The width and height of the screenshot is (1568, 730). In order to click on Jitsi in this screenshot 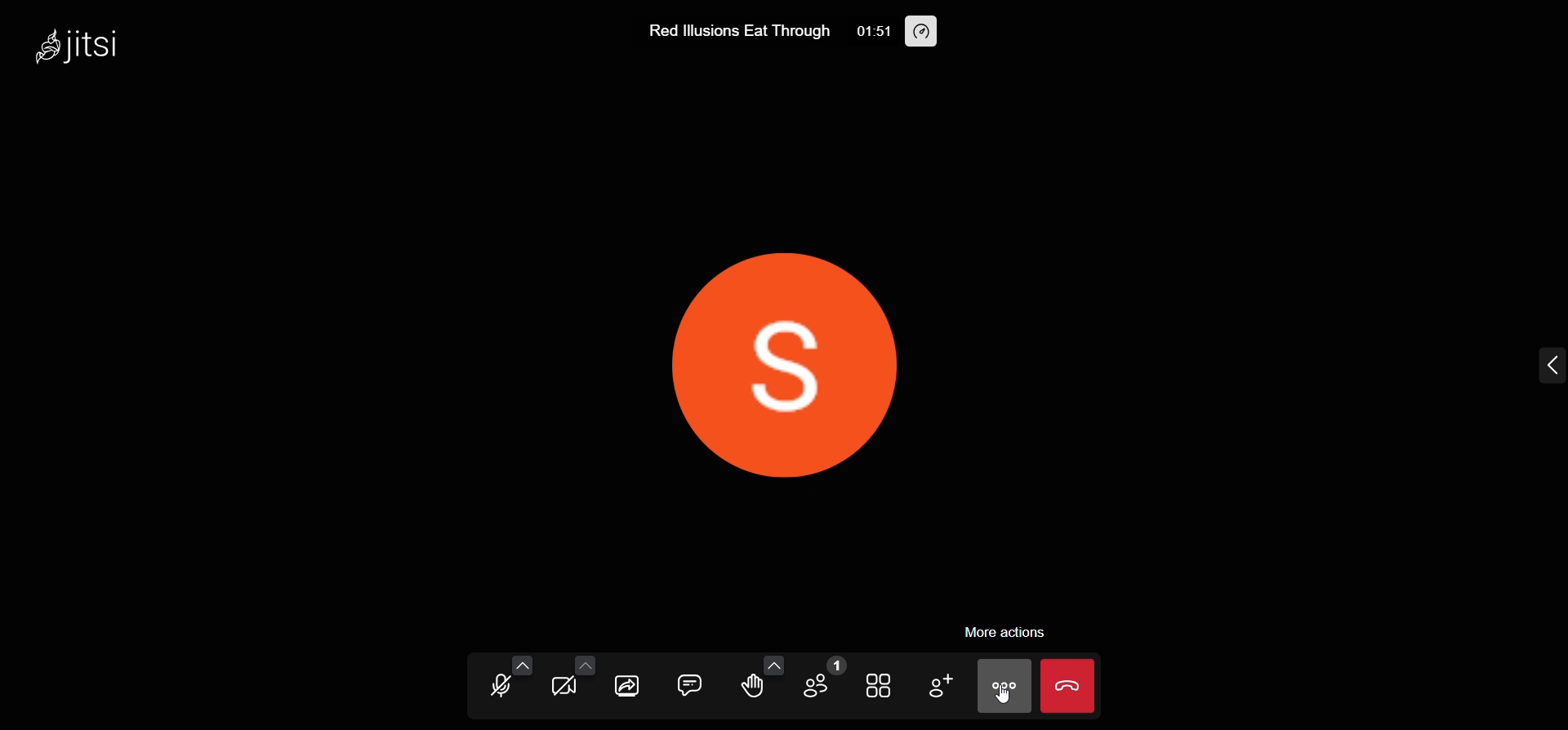, I will do `click(83, 44)`.